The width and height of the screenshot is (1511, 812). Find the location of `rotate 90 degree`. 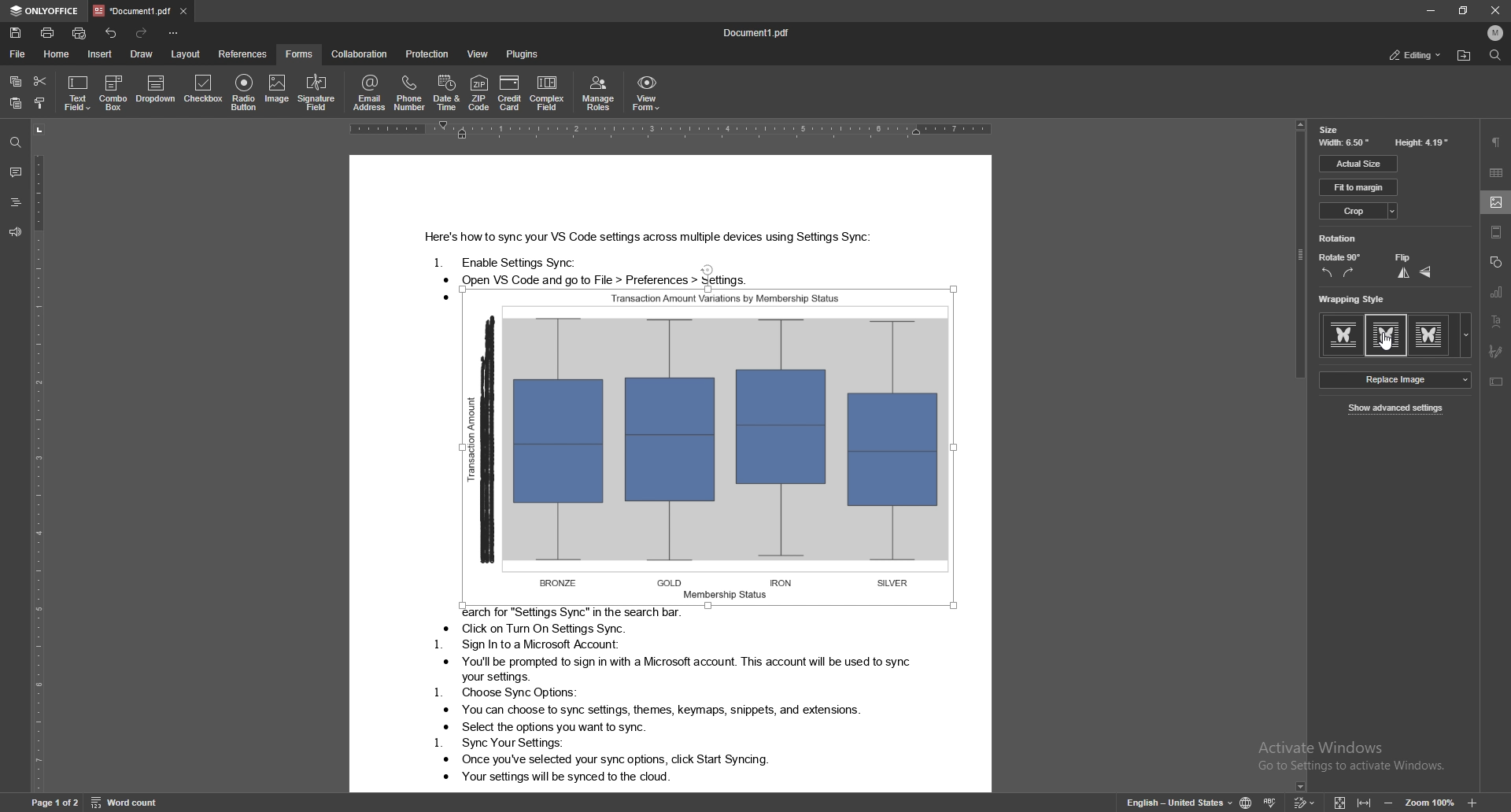

rotate 90 degree is located at coordinates (1341, 258).